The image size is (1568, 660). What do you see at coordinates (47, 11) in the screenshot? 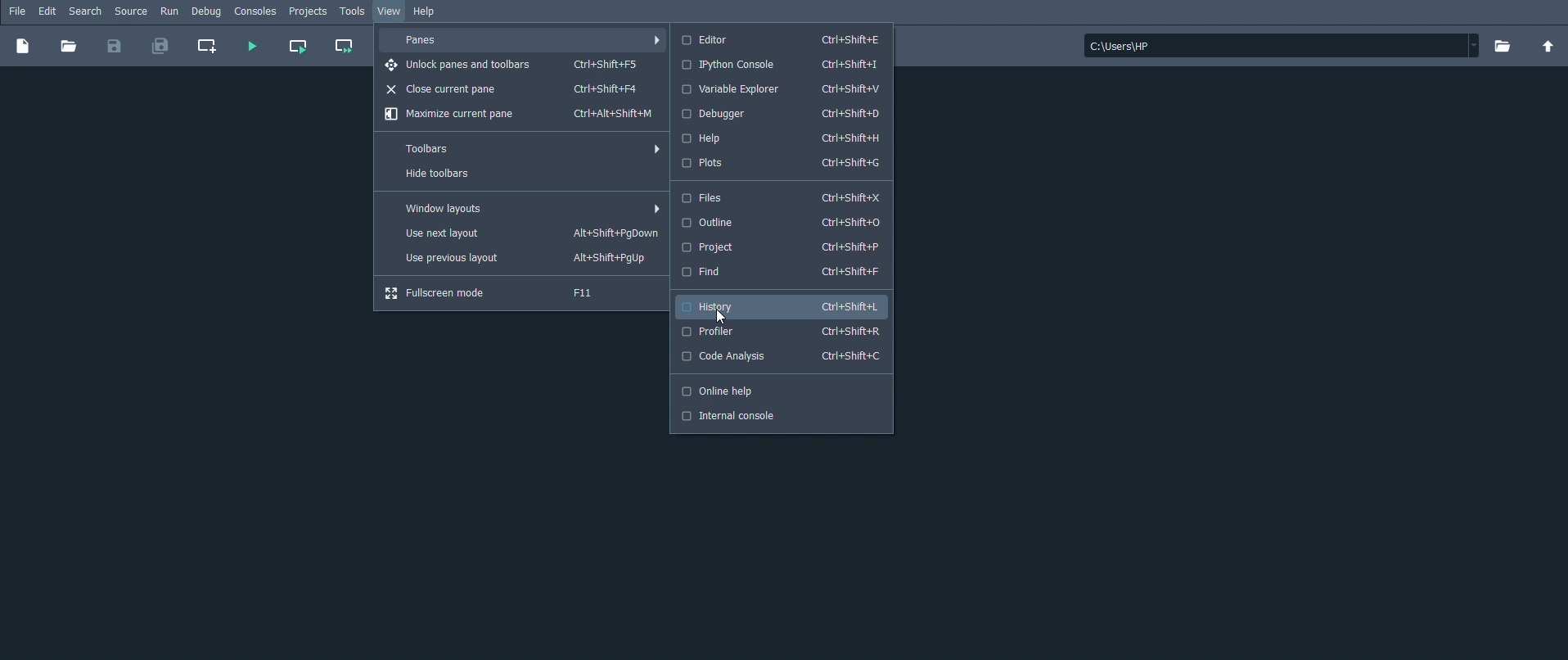
I see `Edit` at bounding box center [47, 11].